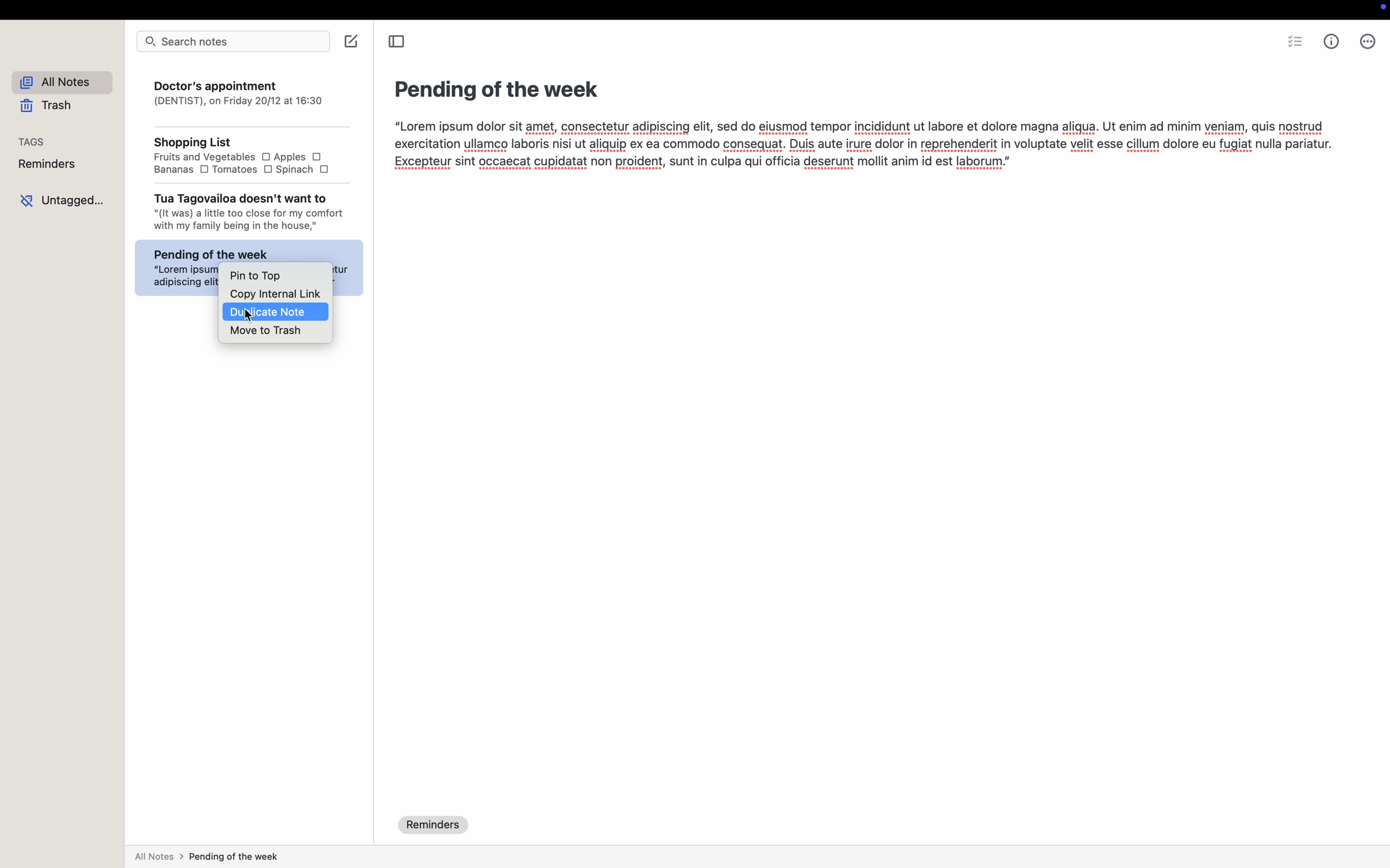 This screenshot has height=868, width=1390. What do you see at coordinates (864, 156) in the screenshot?
I see `Lorem ipsum dolor sit amet, consectetur adipiscing elit, sed do elusmod tempor incididunt ut labore et dolore magna aligua. Ut enim ad minim veniam, quis nostrud
xercitation ullamco laboris nisi ut aliquip ex ea commodo consequat. Duis aute irure dolor in reprehenderit in voluptate velit esse cillum dolore eu fugiat nulla pariatu
-xcepteur sint occaecat cupidatat non proident, sunt in culpa qui officia deserunt moliit anim id est laborum.”` at bounding box center [864, 156].